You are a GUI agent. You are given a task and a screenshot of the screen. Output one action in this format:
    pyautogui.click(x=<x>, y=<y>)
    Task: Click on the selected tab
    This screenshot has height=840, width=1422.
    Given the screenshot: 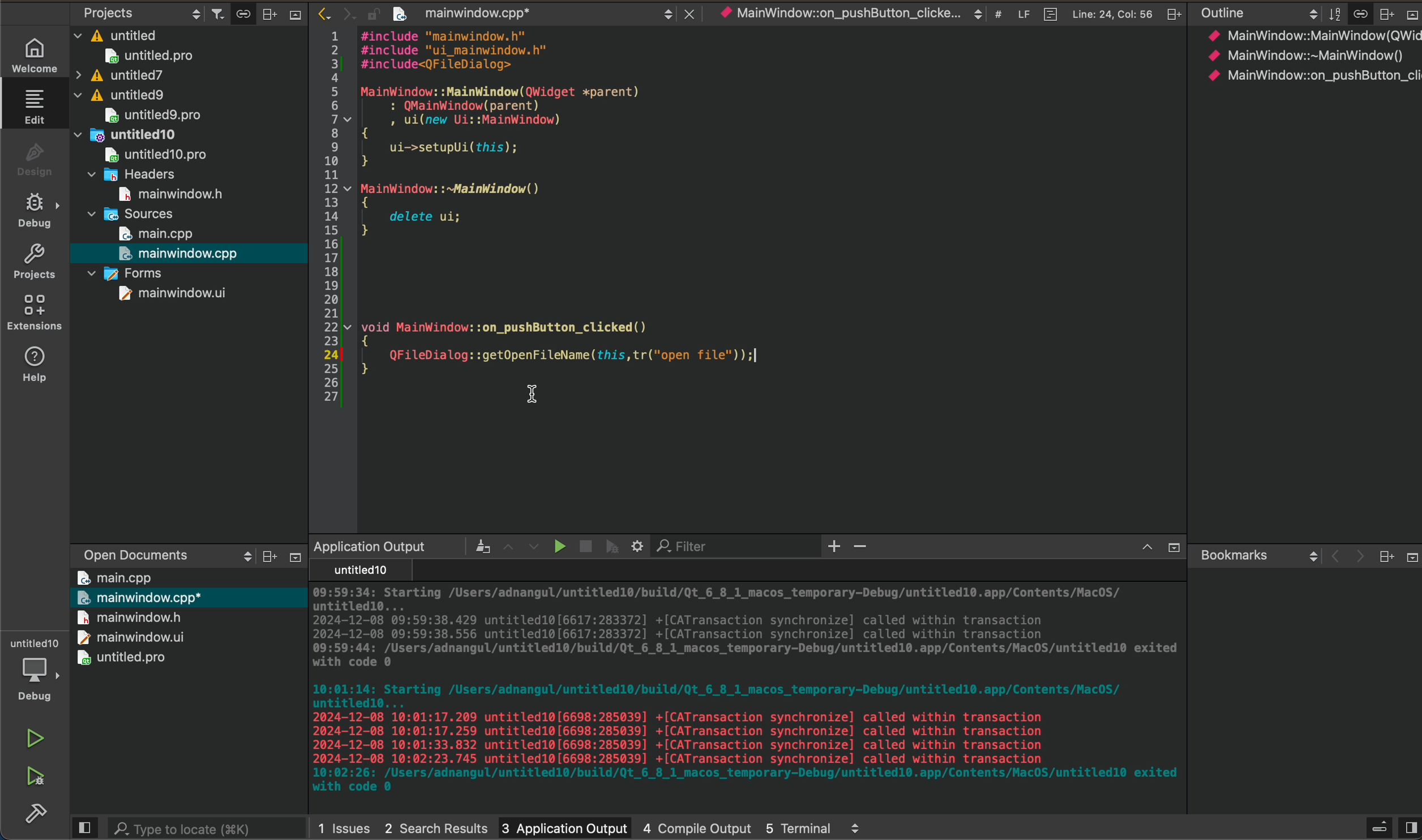 What is the action you would take?
    pyautogui.click(x=40, y=105)
    